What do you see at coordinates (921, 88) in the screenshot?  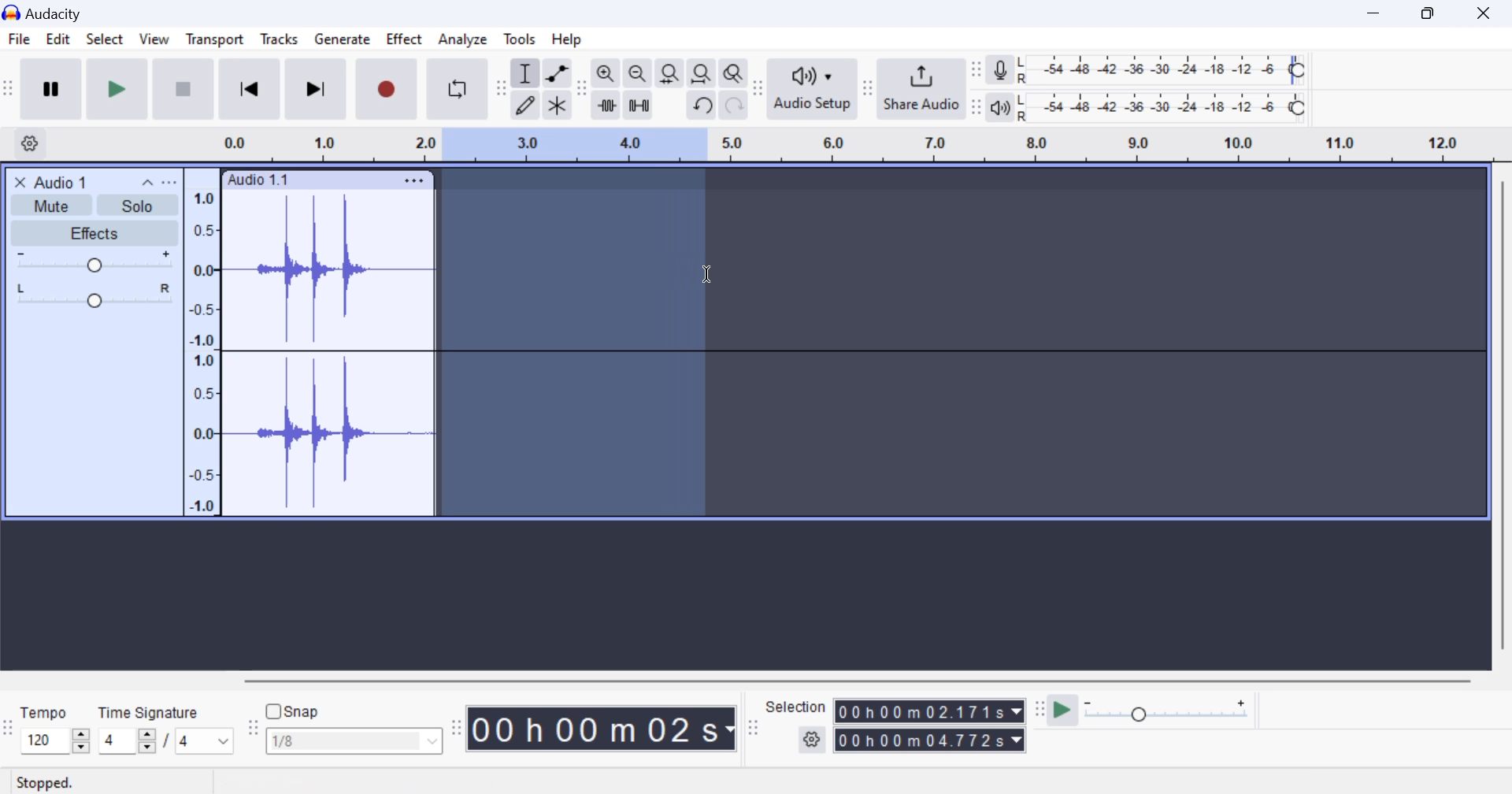 I see `Share Audio` at bounding box center [921, 88].